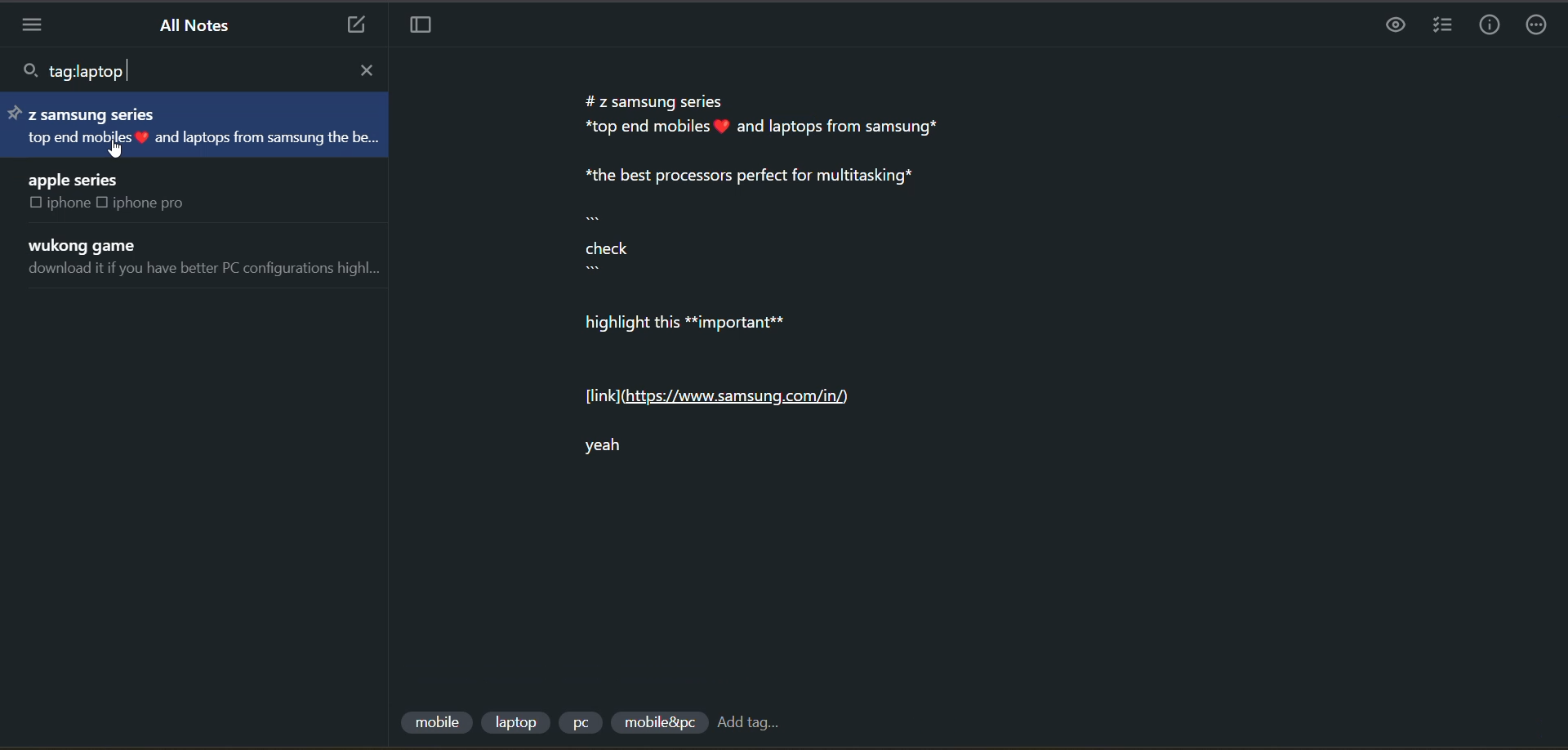 The width and height of the screenshot is (1568, 750). What do you see at coordinates (35, 204) in the screenshot?
I see `checkbox` at bounding box center [35, 204].